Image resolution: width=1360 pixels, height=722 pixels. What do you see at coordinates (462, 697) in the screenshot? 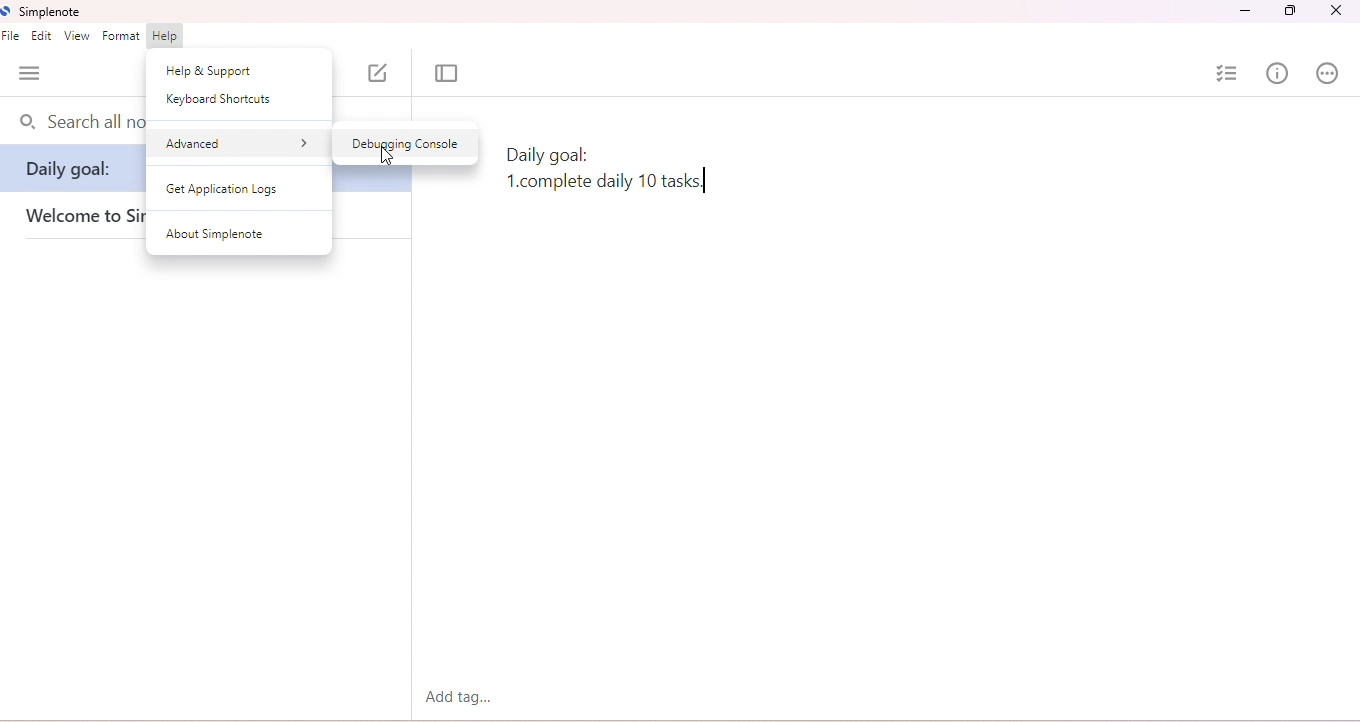
I see `add tag` at bounding box center [462, 697].